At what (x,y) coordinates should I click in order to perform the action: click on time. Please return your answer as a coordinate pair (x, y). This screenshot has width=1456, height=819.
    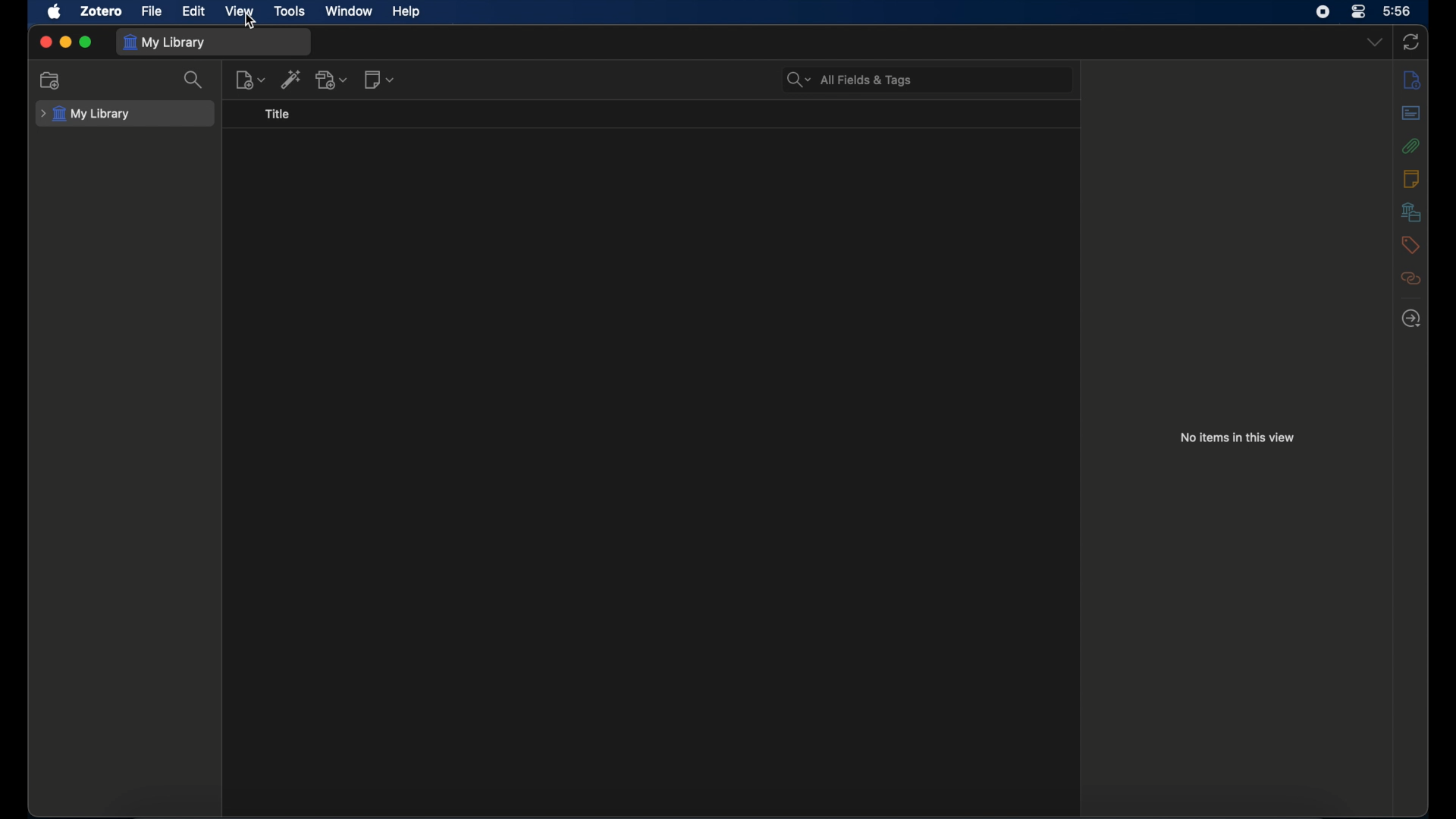
    Looking at the image, I should click on (1398, 11).